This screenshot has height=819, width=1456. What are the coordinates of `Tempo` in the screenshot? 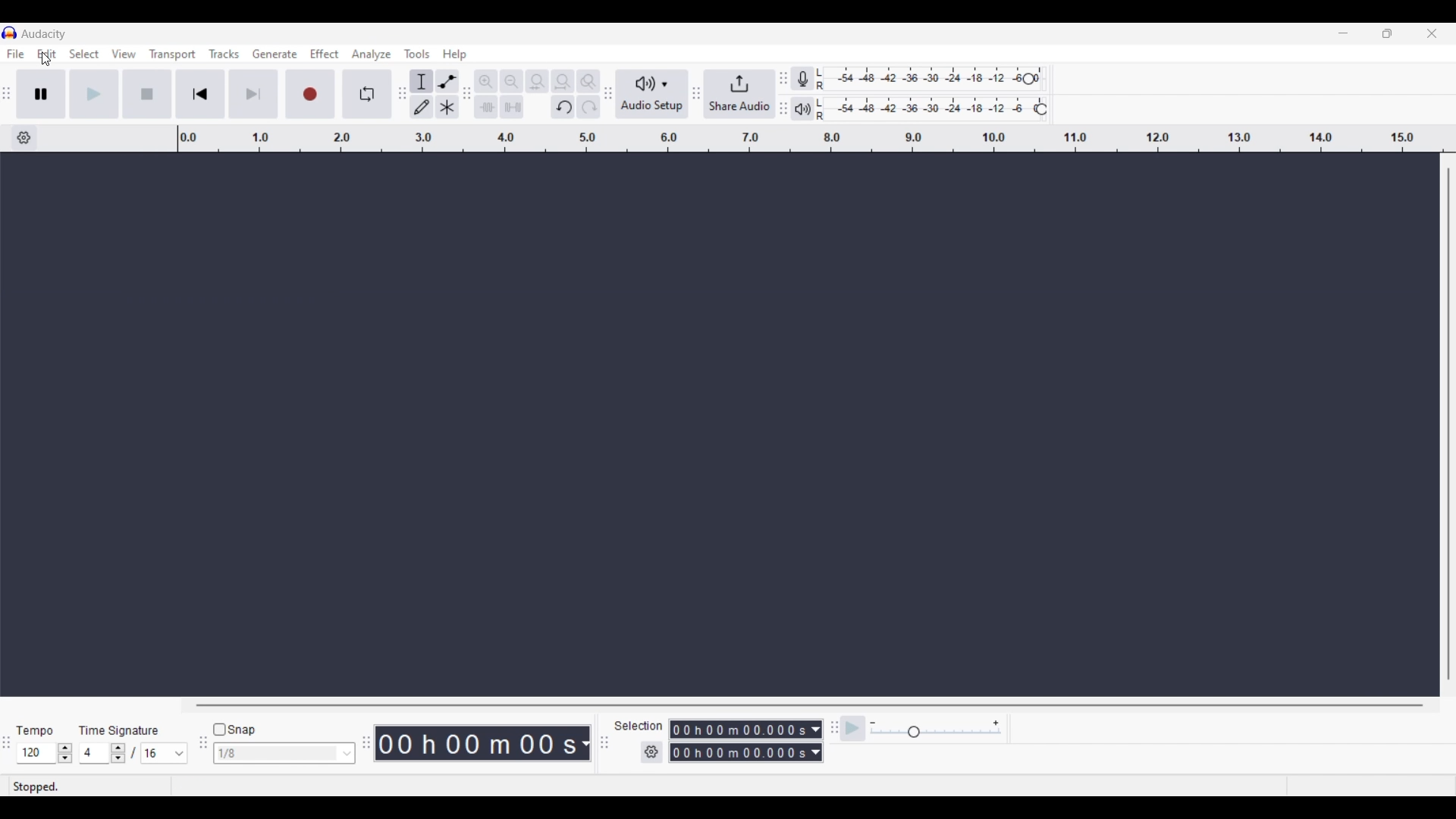 It's located at (34, 730).